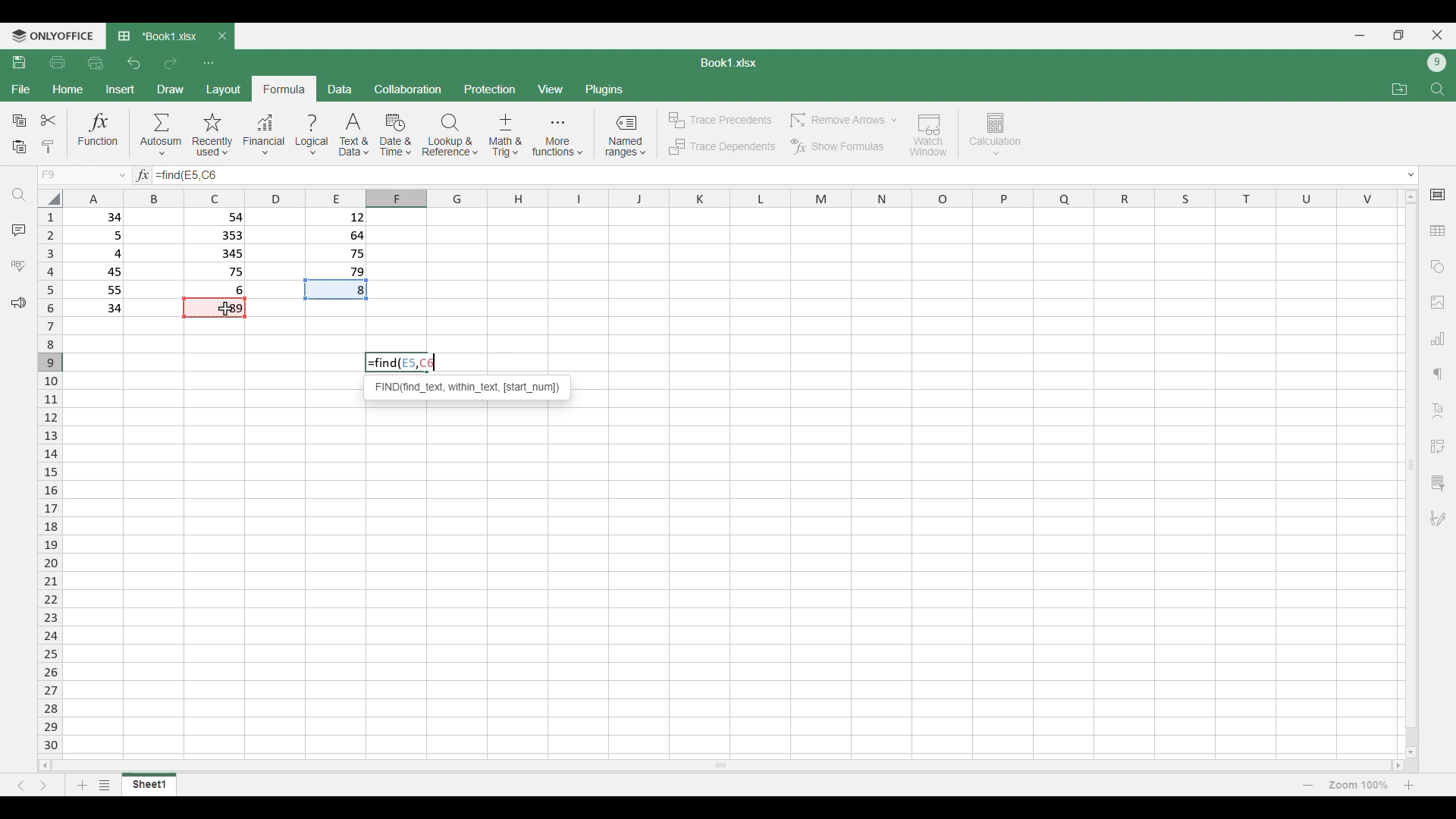  I want to click on Zoom in, so click(1409, 785).